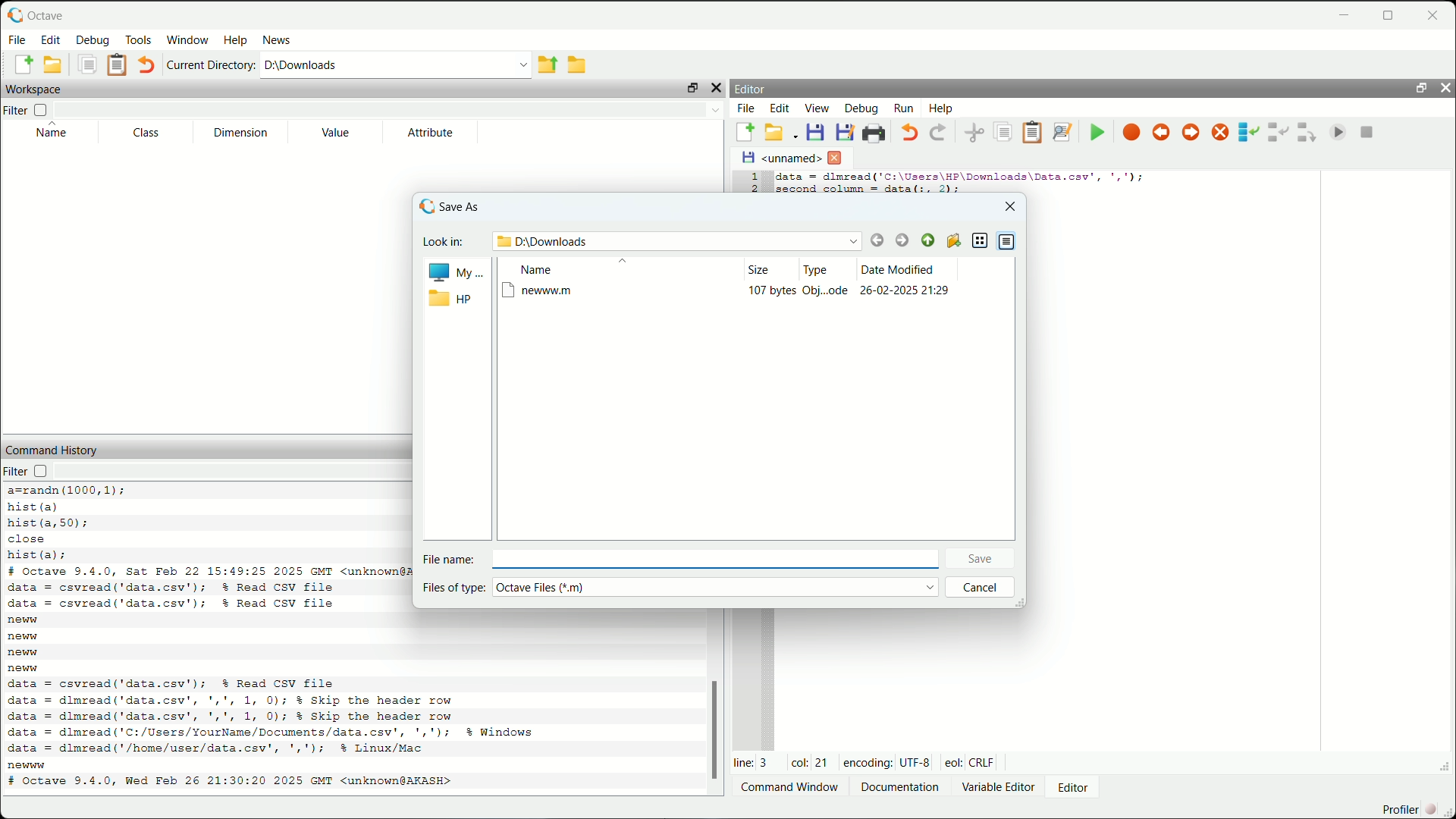 This screenshot has width=1456, height=819. I want to click on cancel, so click(984, 589).